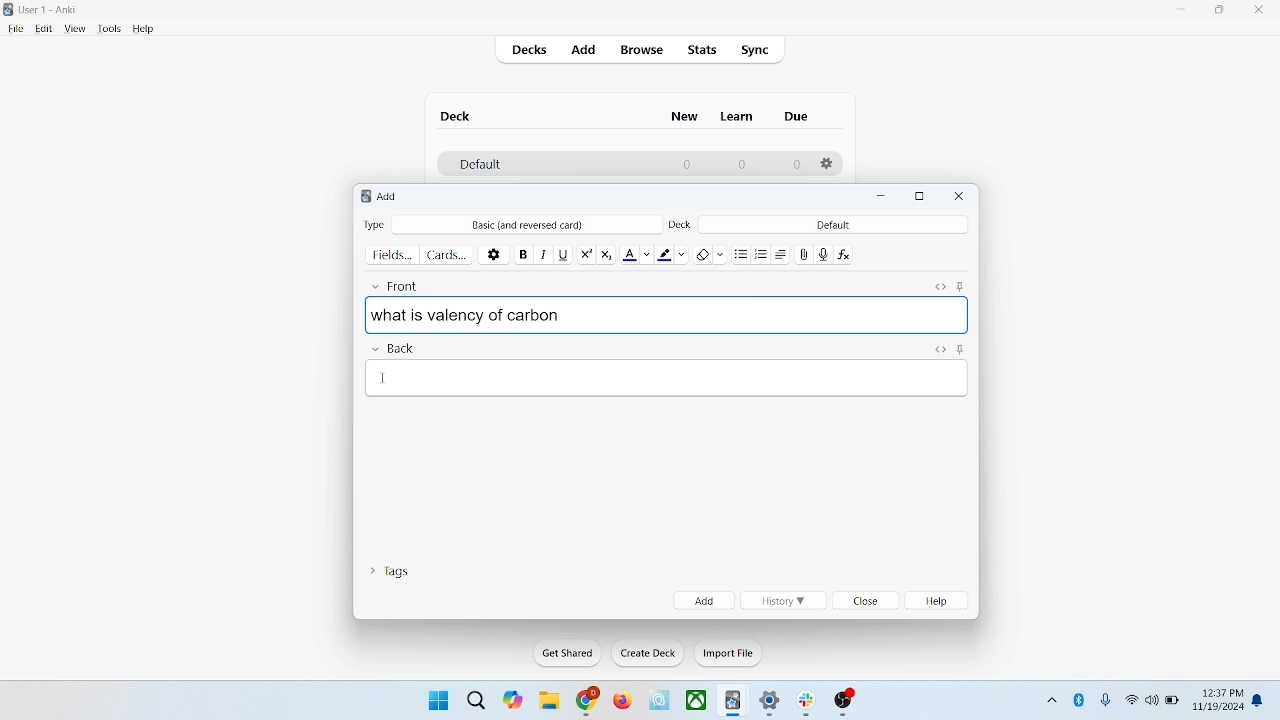  I want to click on chrome, so click(588, 701).